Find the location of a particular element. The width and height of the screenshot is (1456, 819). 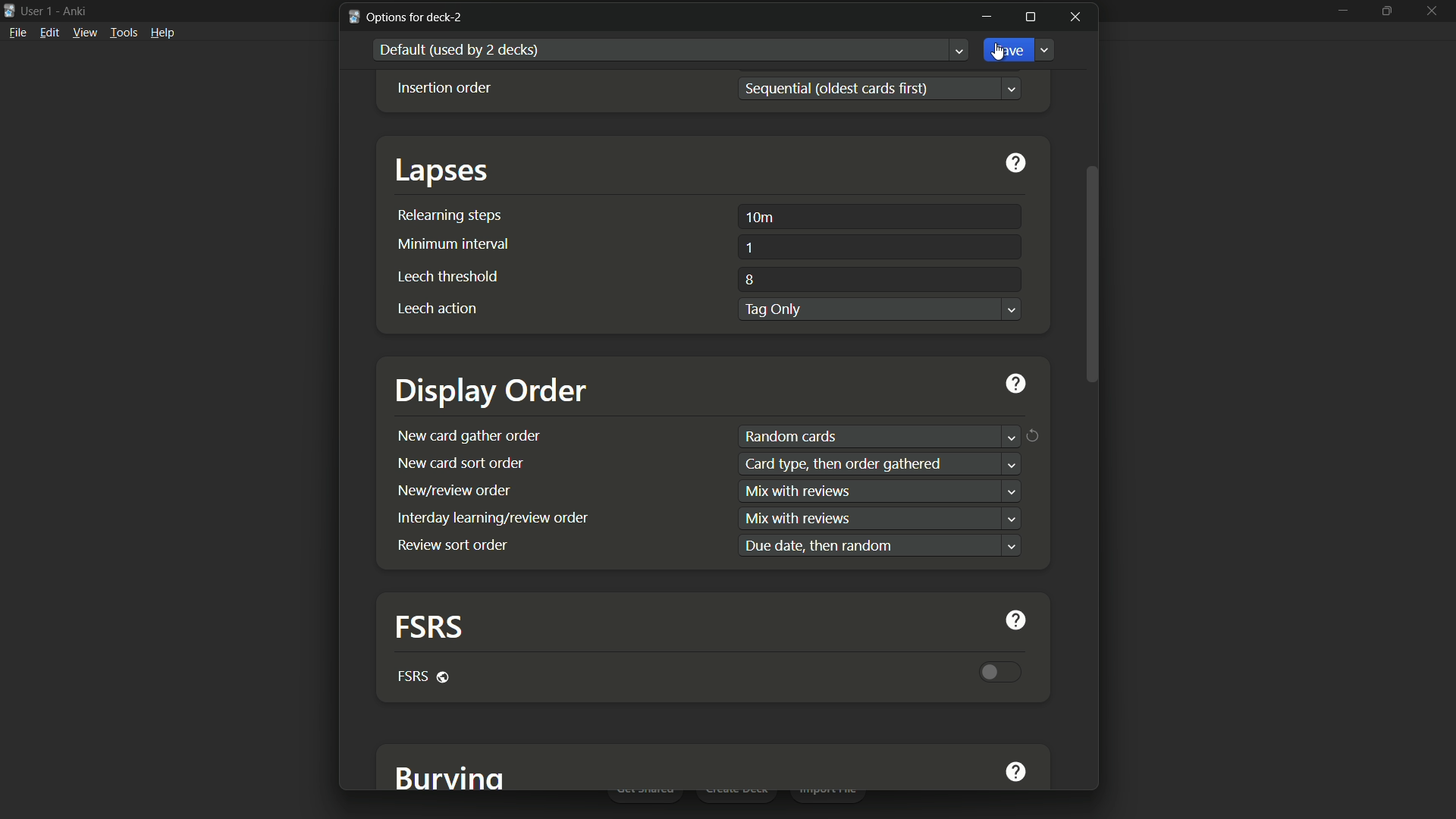

user 1 is located at coordinates (38, 11).